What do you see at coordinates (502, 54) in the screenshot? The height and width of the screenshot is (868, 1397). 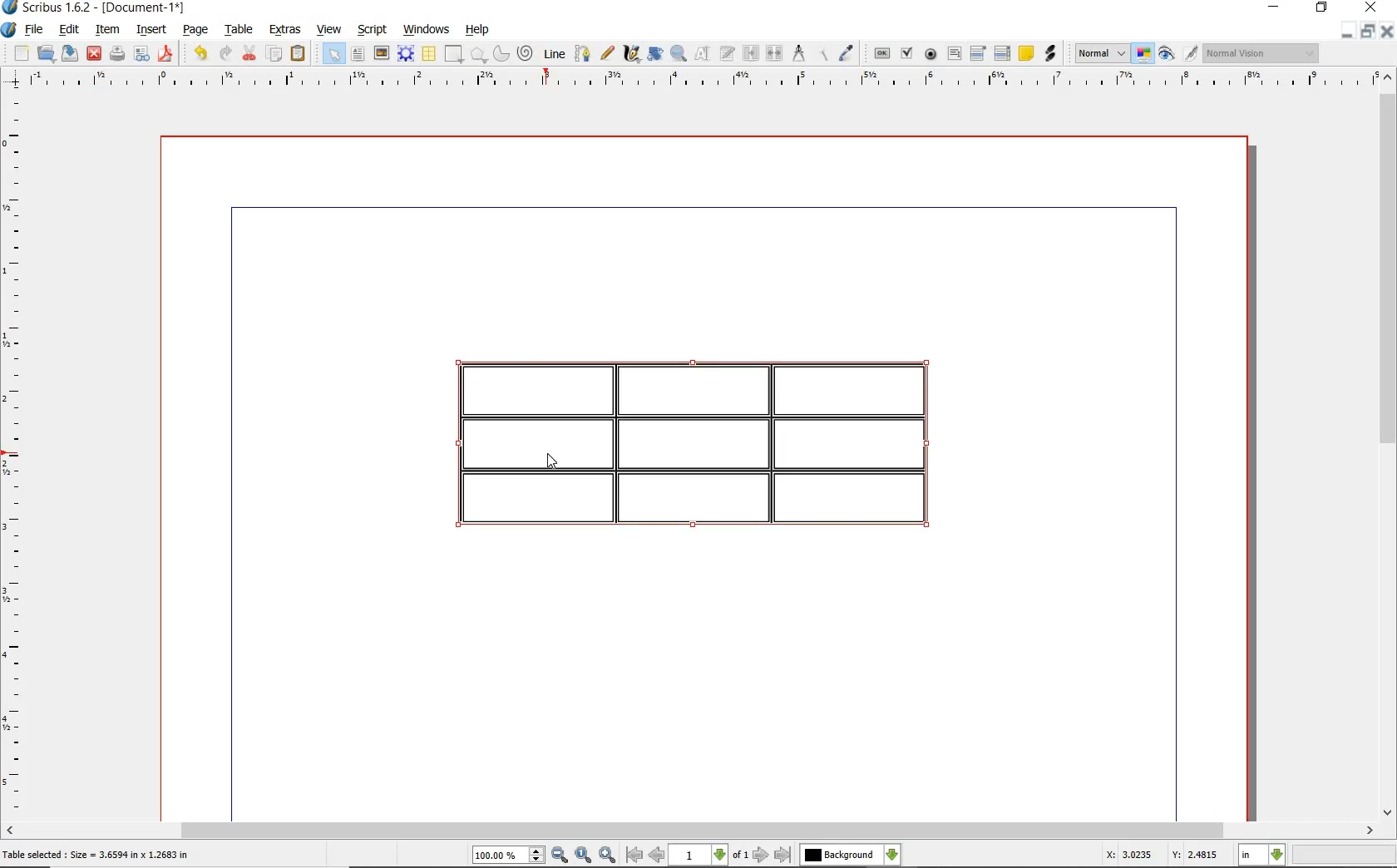 I see `arc` at bounding box center [502, 54].